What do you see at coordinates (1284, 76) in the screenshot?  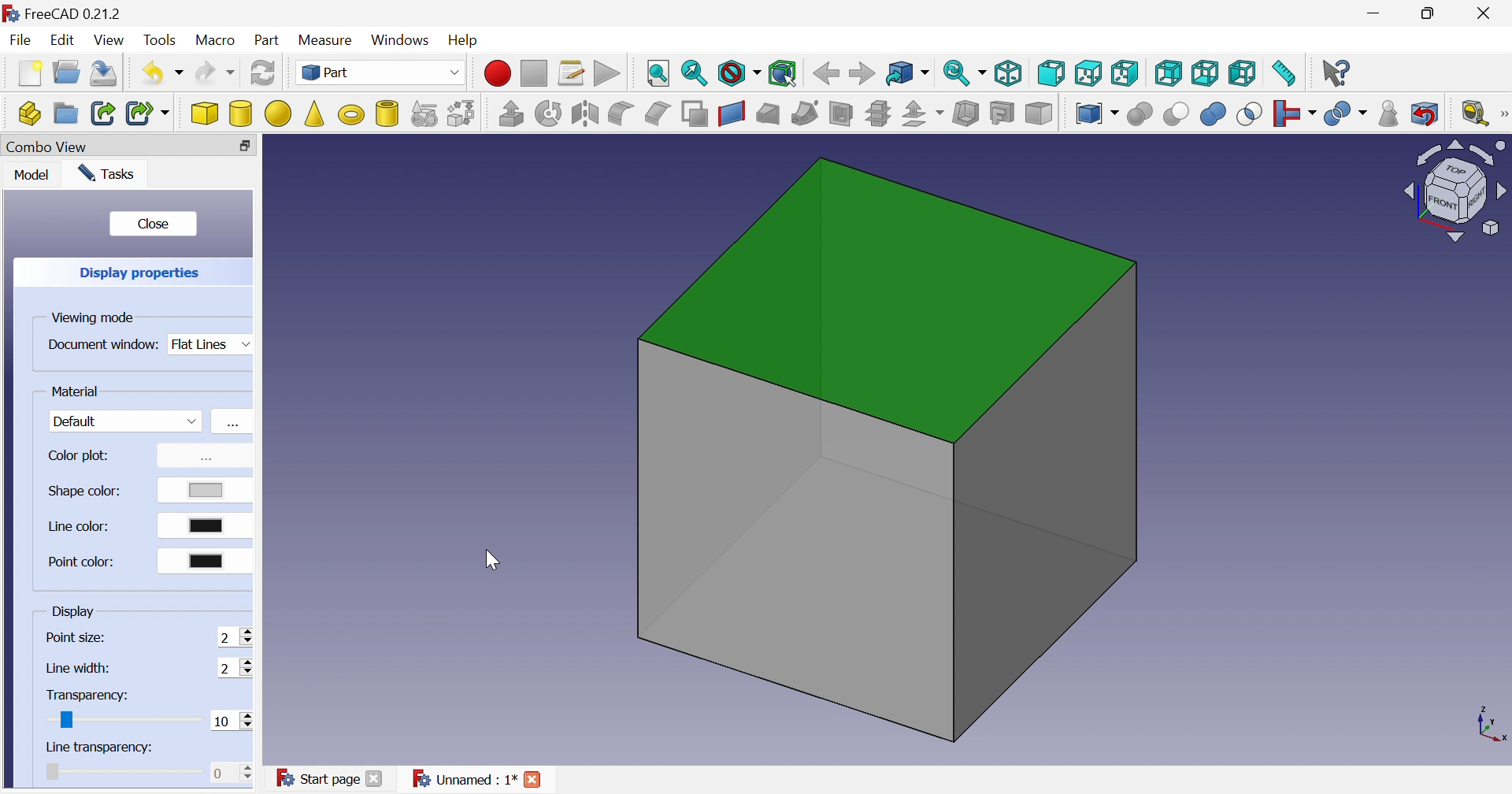 I see `Measure distance` at bounding box center [1284, 76].